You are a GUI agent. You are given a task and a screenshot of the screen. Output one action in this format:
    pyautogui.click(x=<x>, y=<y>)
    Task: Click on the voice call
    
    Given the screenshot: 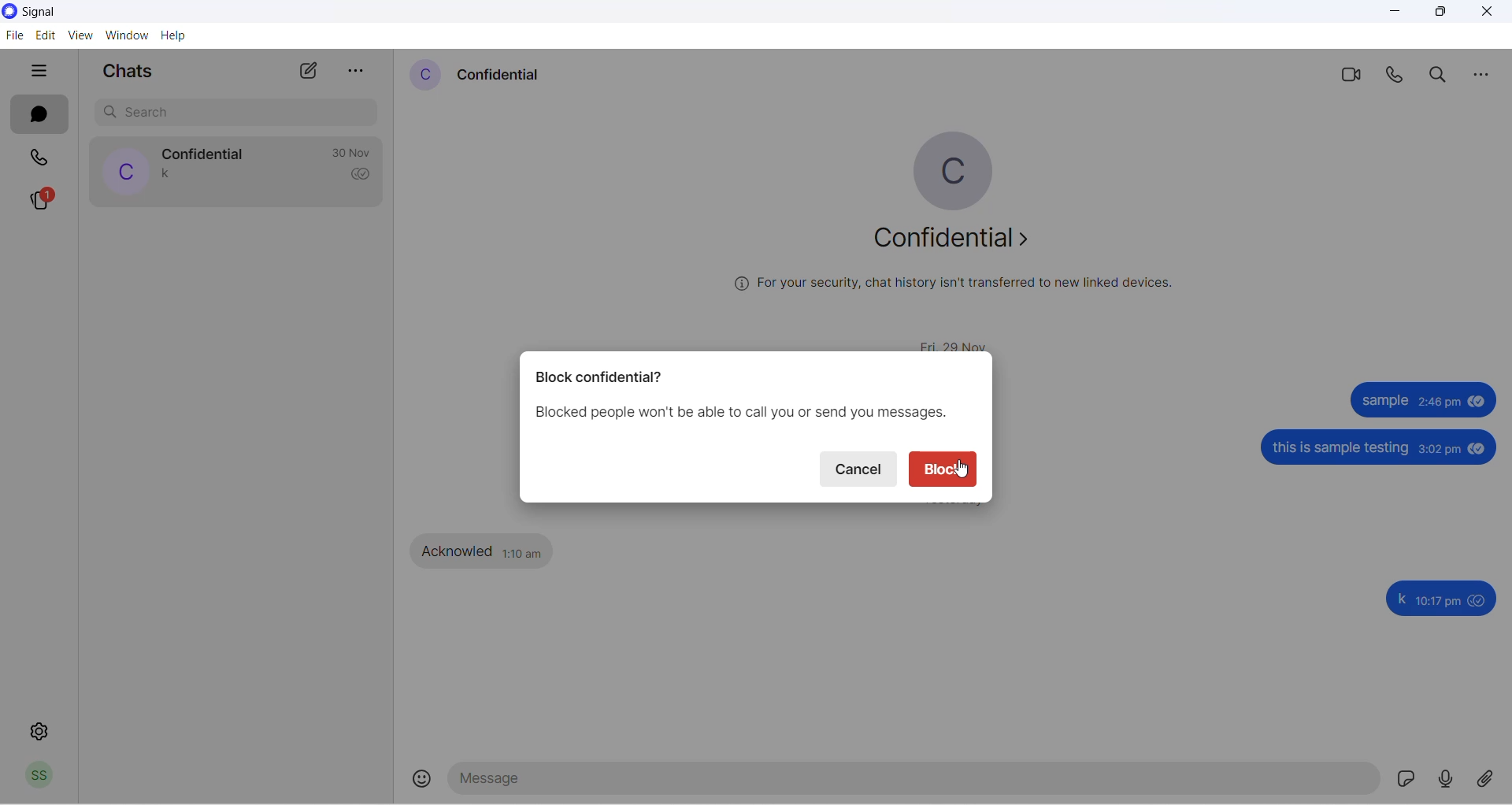 What is the action you would take?
    pyautogui.click(x=1395, y=76)
    